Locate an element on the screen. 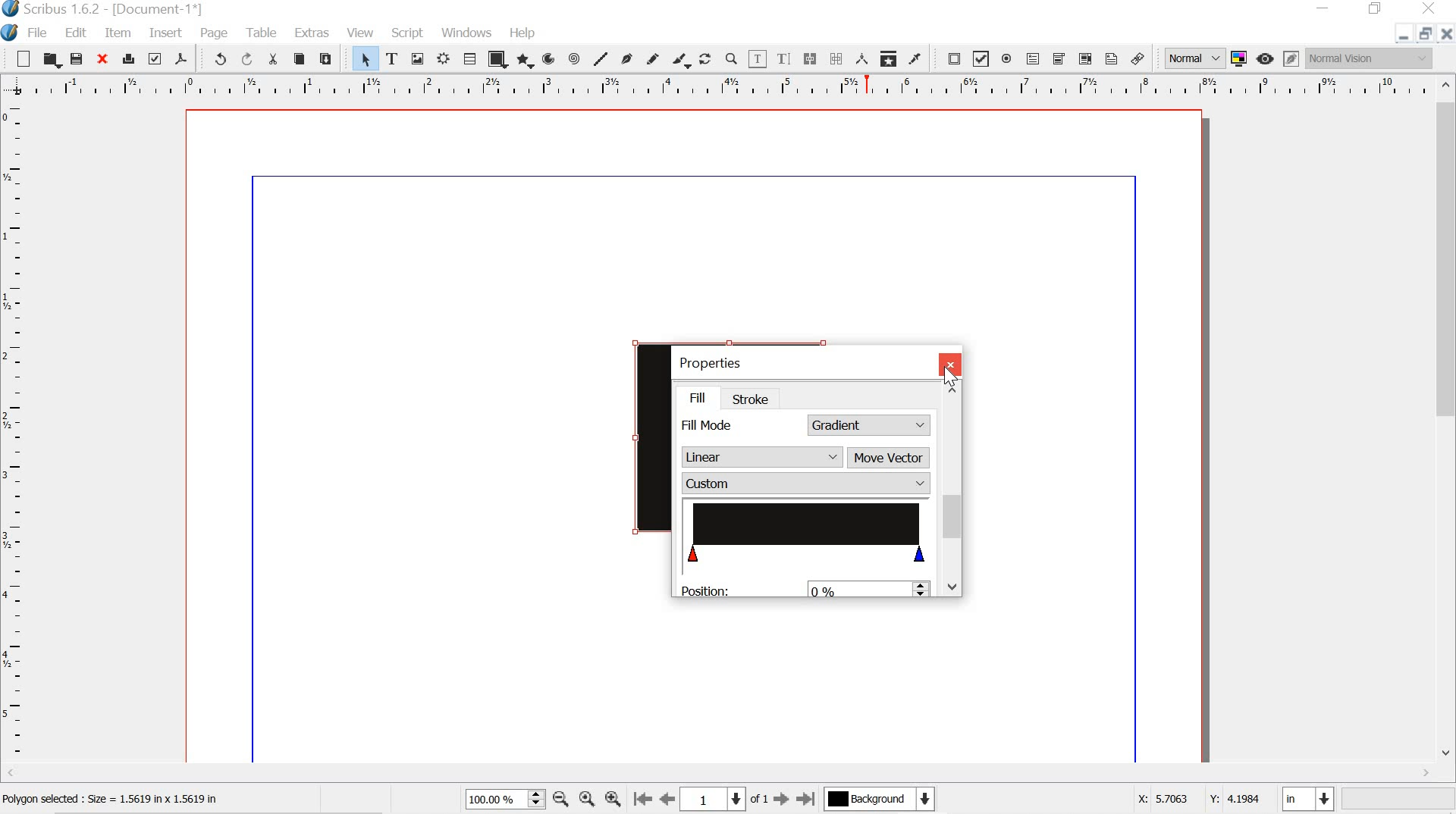 The image size is (1456, 814). print is located at coordinates (129, 58).